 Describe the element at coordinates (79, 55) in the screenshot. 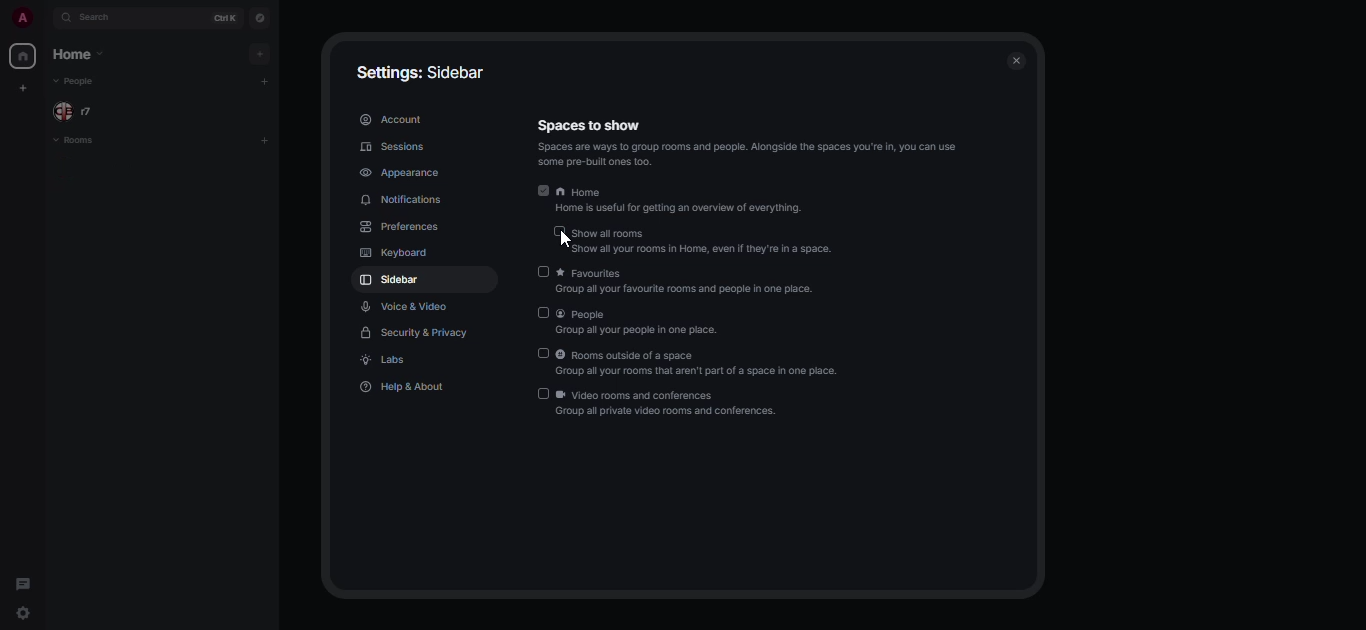

I see `home` at that location.